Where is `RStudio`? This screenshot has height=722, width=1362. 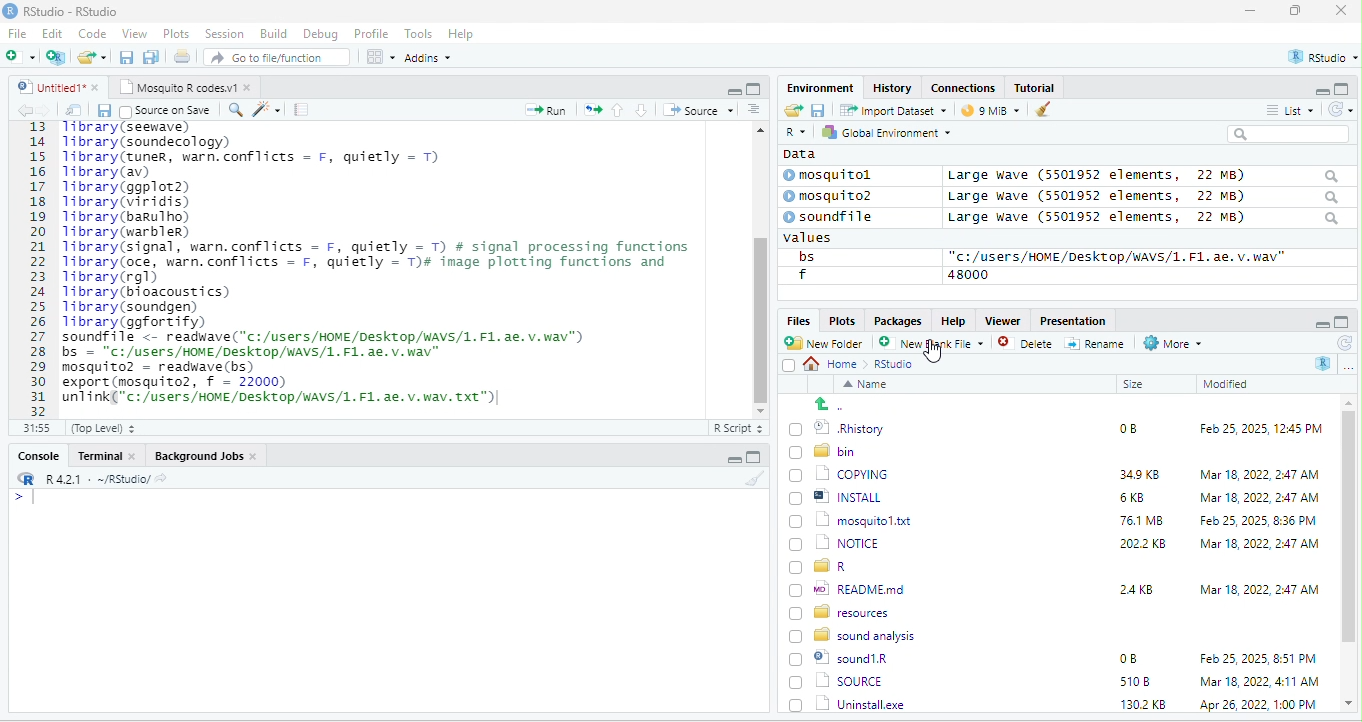 RStudio is located at coordinates (64, 10).